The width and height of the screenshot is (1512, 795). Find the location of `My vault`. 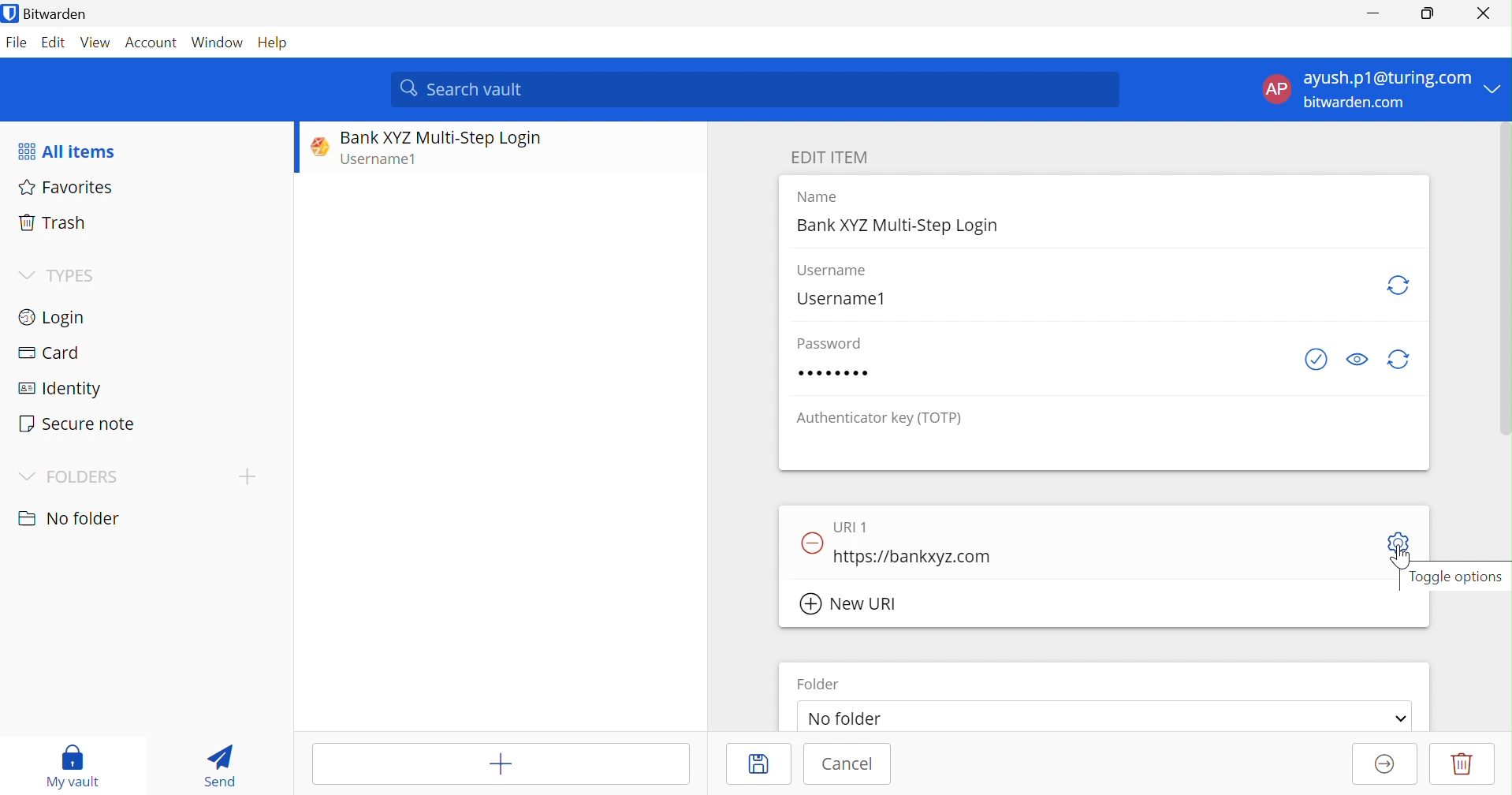

My vault is located at coordinates (72, 766).